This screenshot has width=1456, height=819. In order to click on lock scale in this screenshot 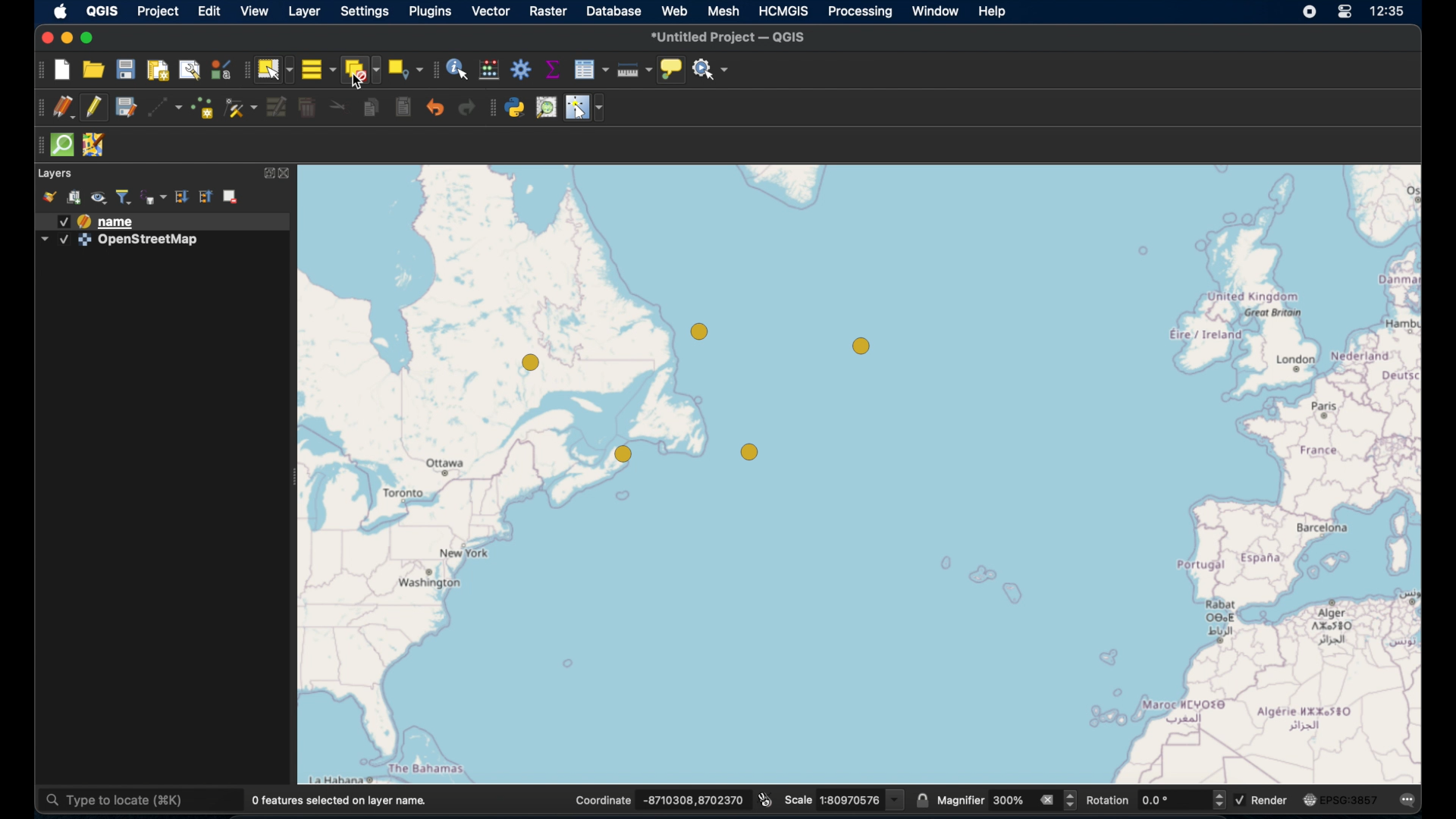, I will do `click(920, 801)`.